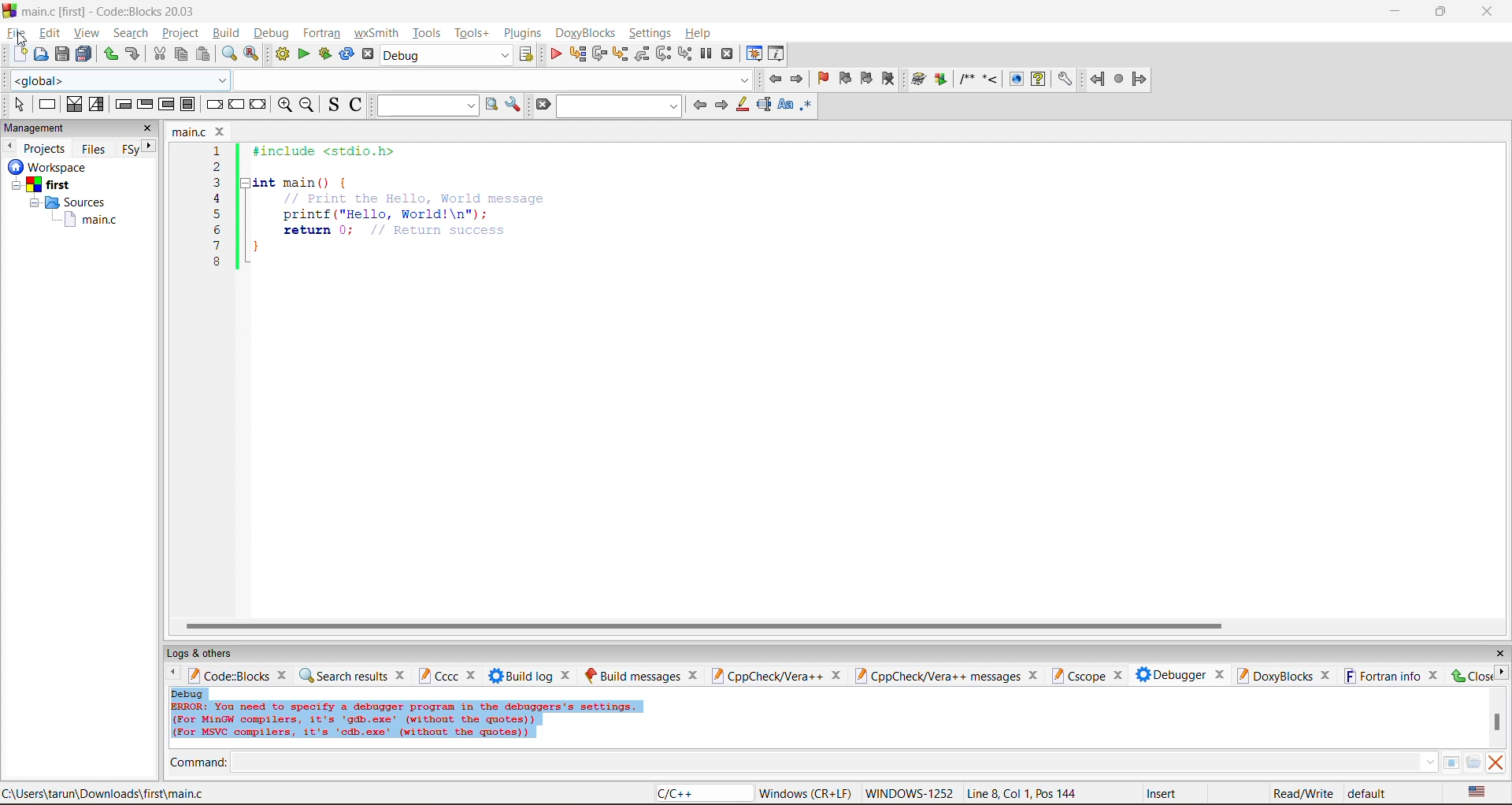  I want to click on text to search, so click(424, 105).